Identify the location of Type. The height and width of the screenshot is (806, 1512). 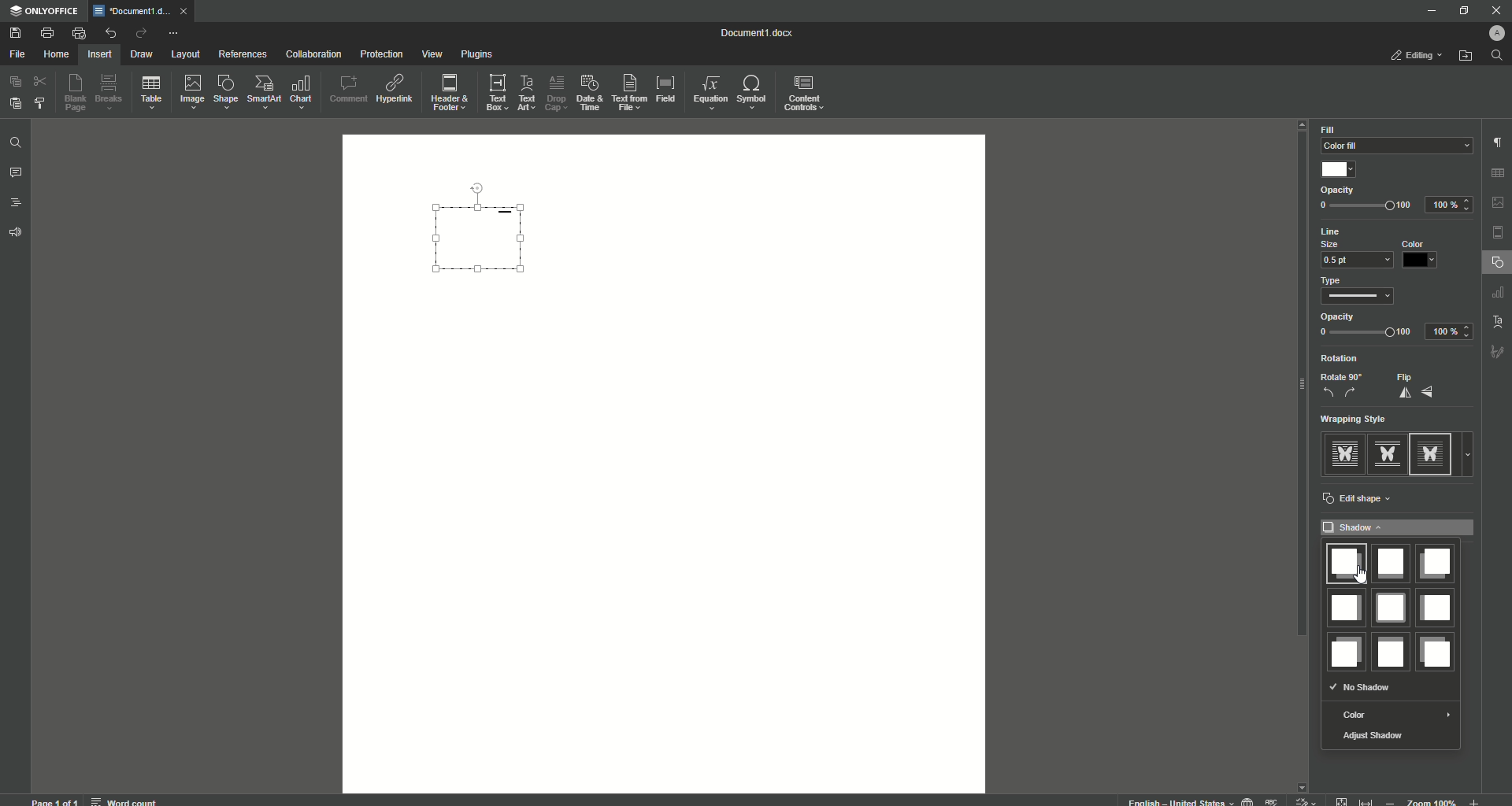
(1337, 280).